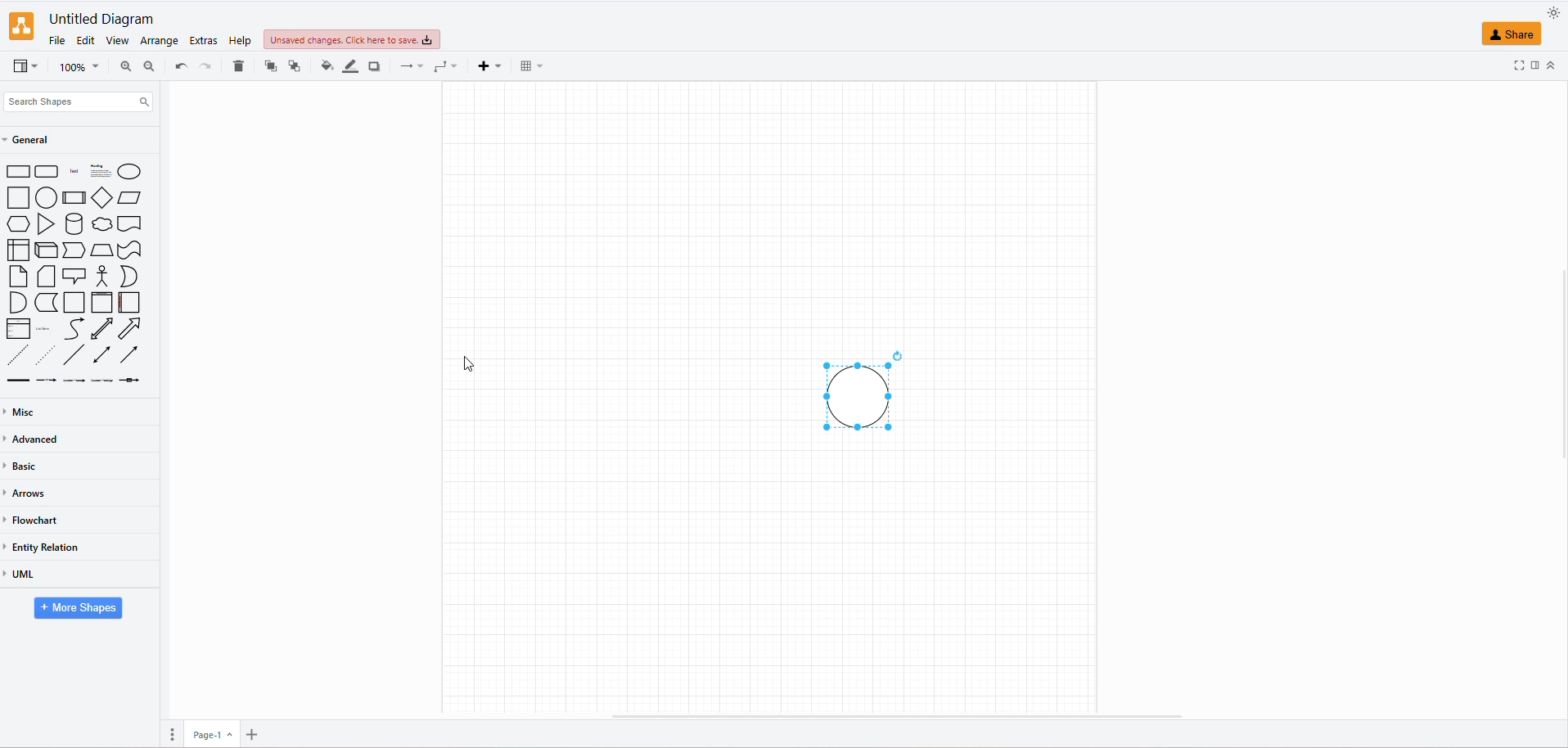 The width and height of the screenshot is (1568, 748). I want to click on INTERNAL STORAGE, so click(19, 252).